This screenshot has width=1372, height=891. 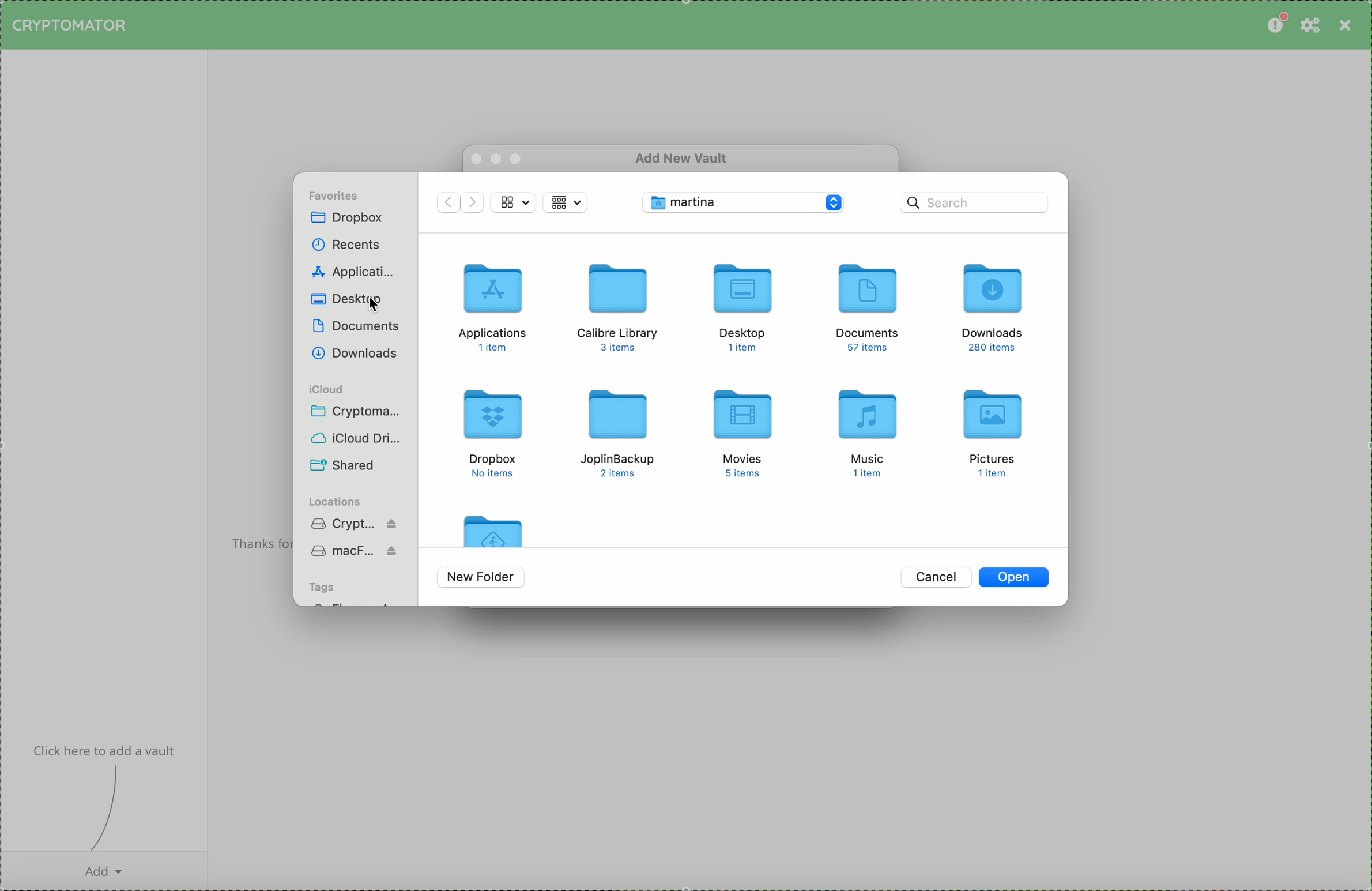 What do you see at coordinates (353, 298) in the screenshot?
I see `click on desktop folder` at bounding box center [353, 298].